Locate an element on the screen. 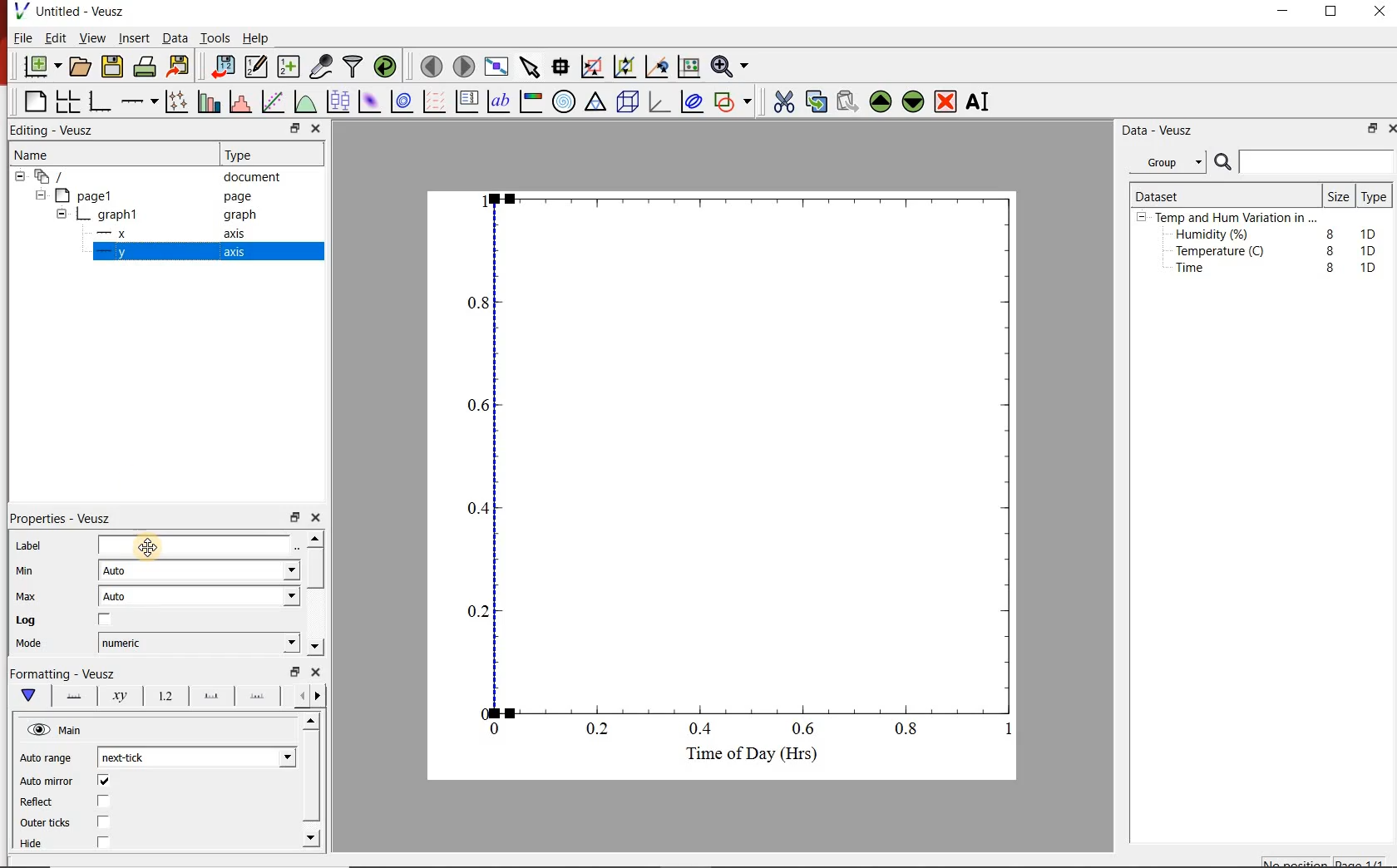  Auto mirror is located at coordinates (67, 782).